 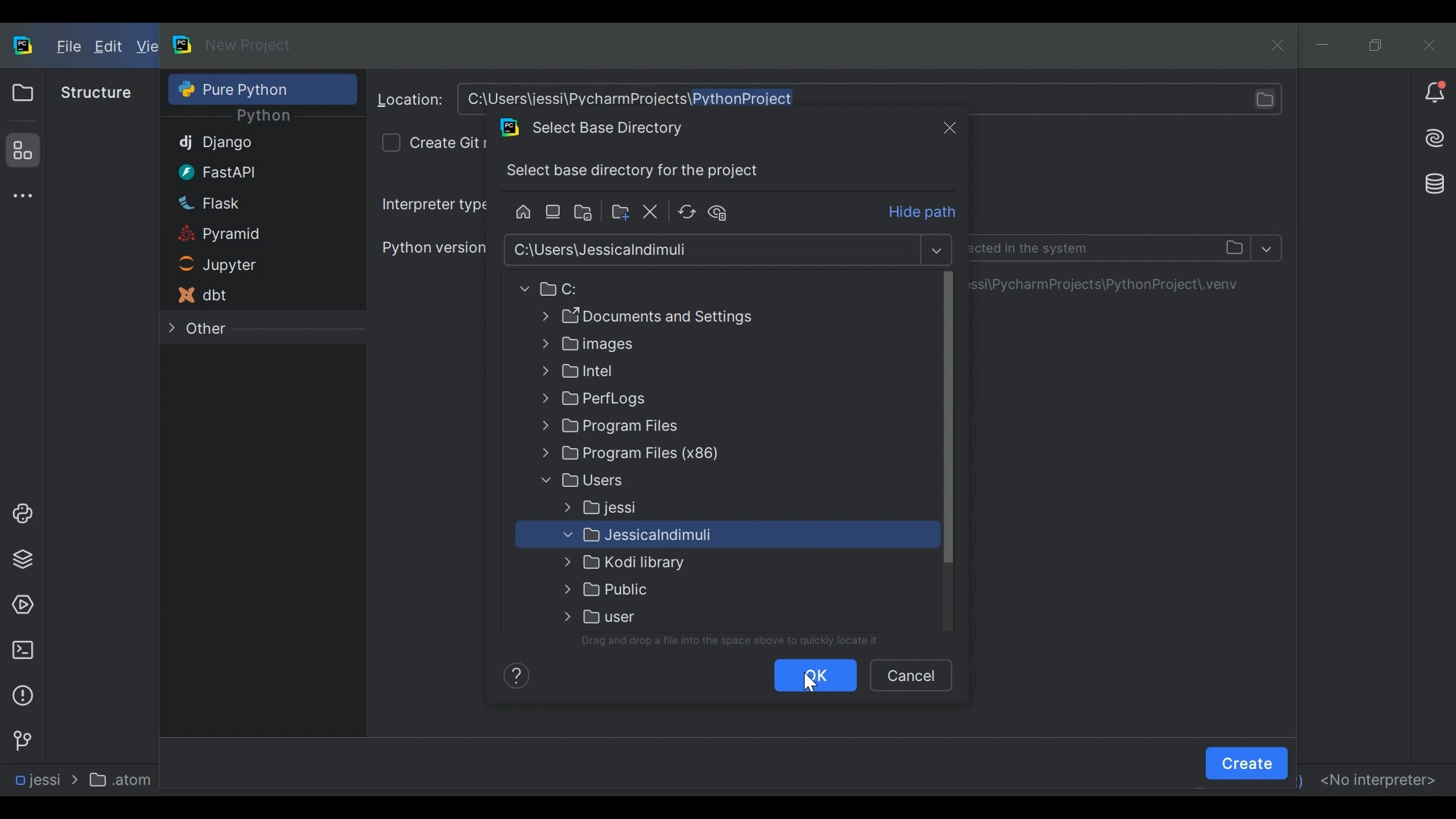 What do you see at coordinates (948, 421) in the screenshot?
I see `Vertical Scroll bar` at bounding box center [948, 421].